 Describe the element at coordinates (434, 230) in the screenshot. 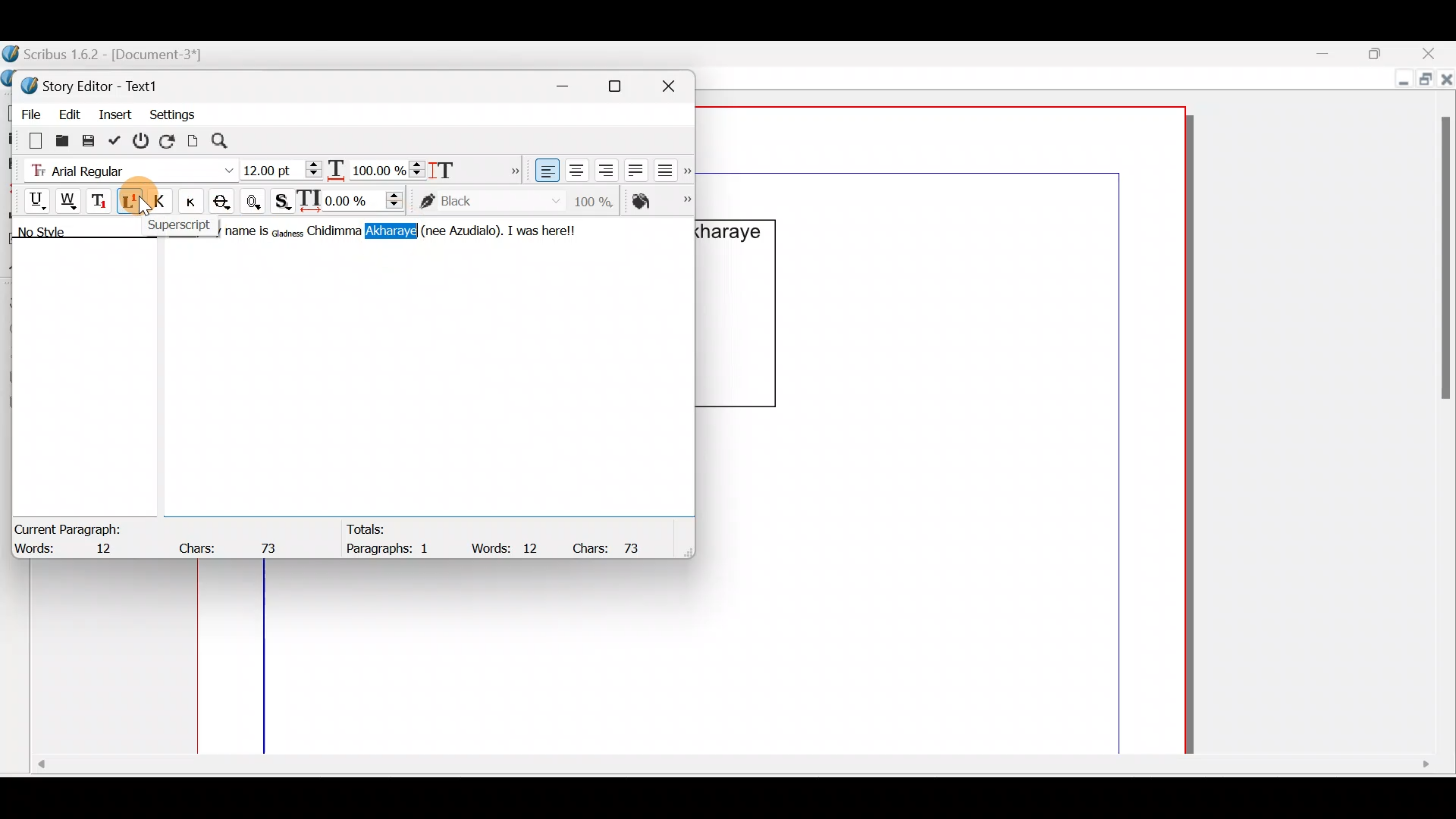

I see `(nee` at that location.